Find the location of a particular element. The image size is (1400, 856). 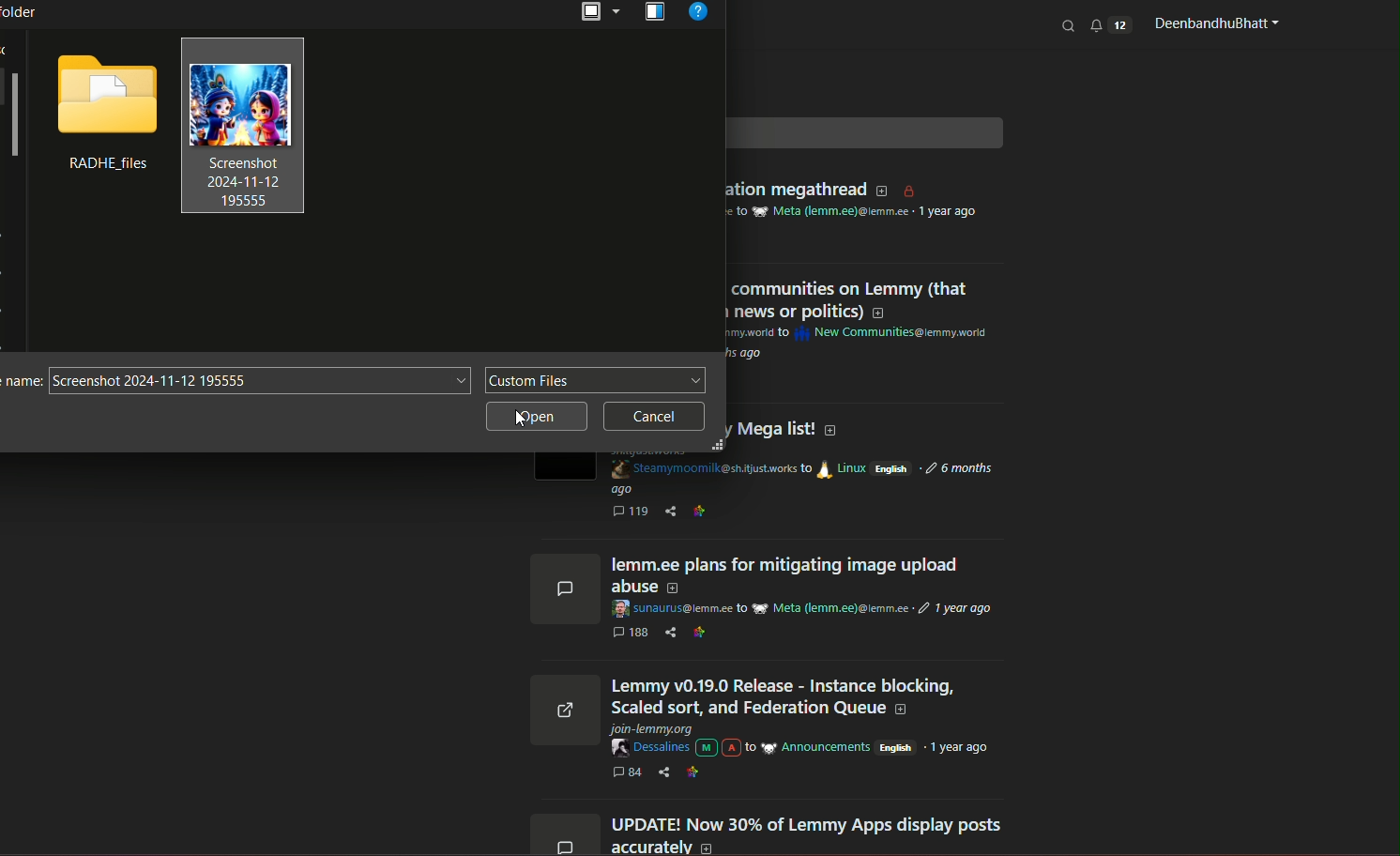

search is located at coordinates (1070, 25).